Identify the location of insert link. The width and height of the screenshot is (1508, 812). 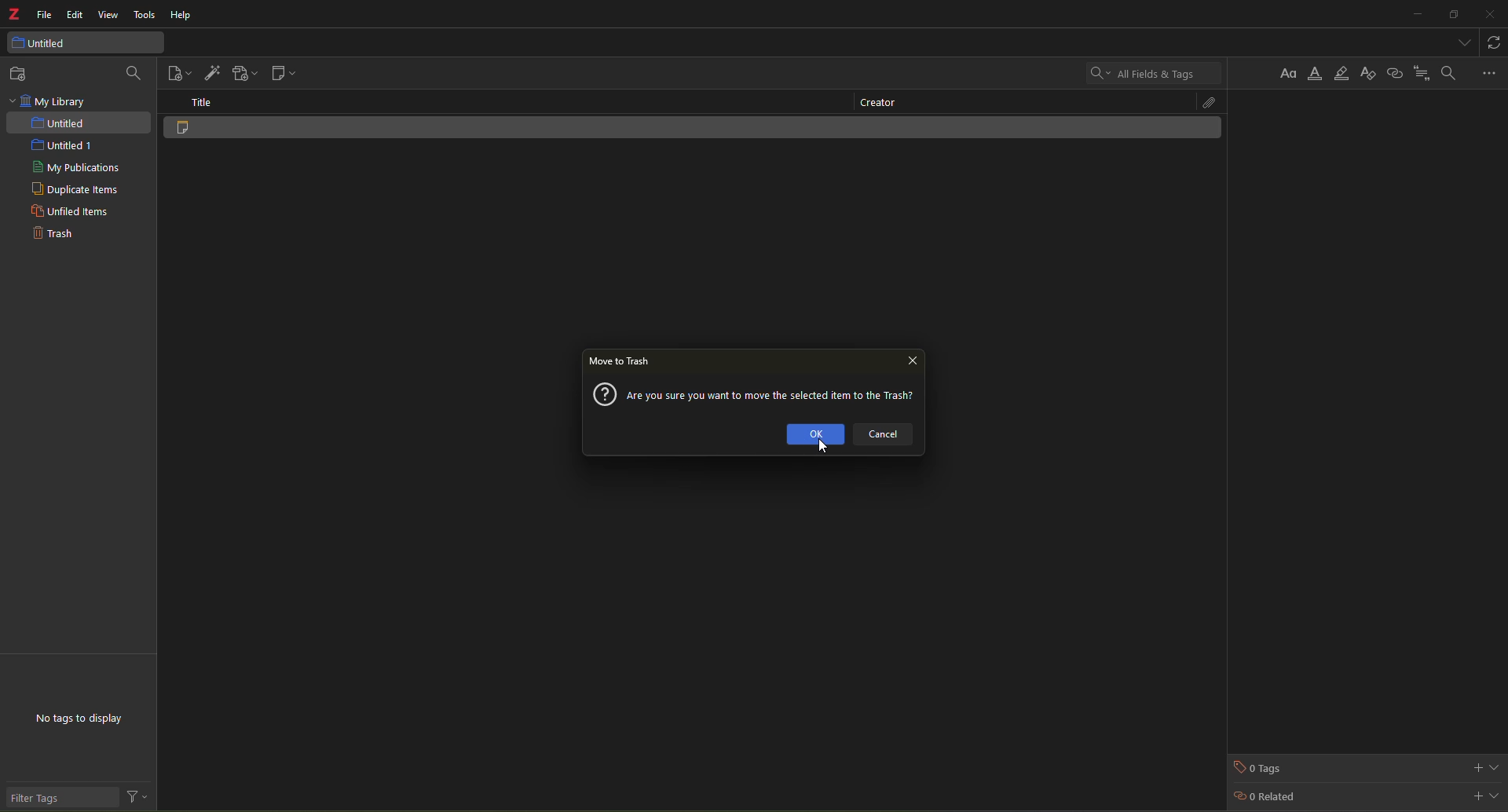
(1394, 73).